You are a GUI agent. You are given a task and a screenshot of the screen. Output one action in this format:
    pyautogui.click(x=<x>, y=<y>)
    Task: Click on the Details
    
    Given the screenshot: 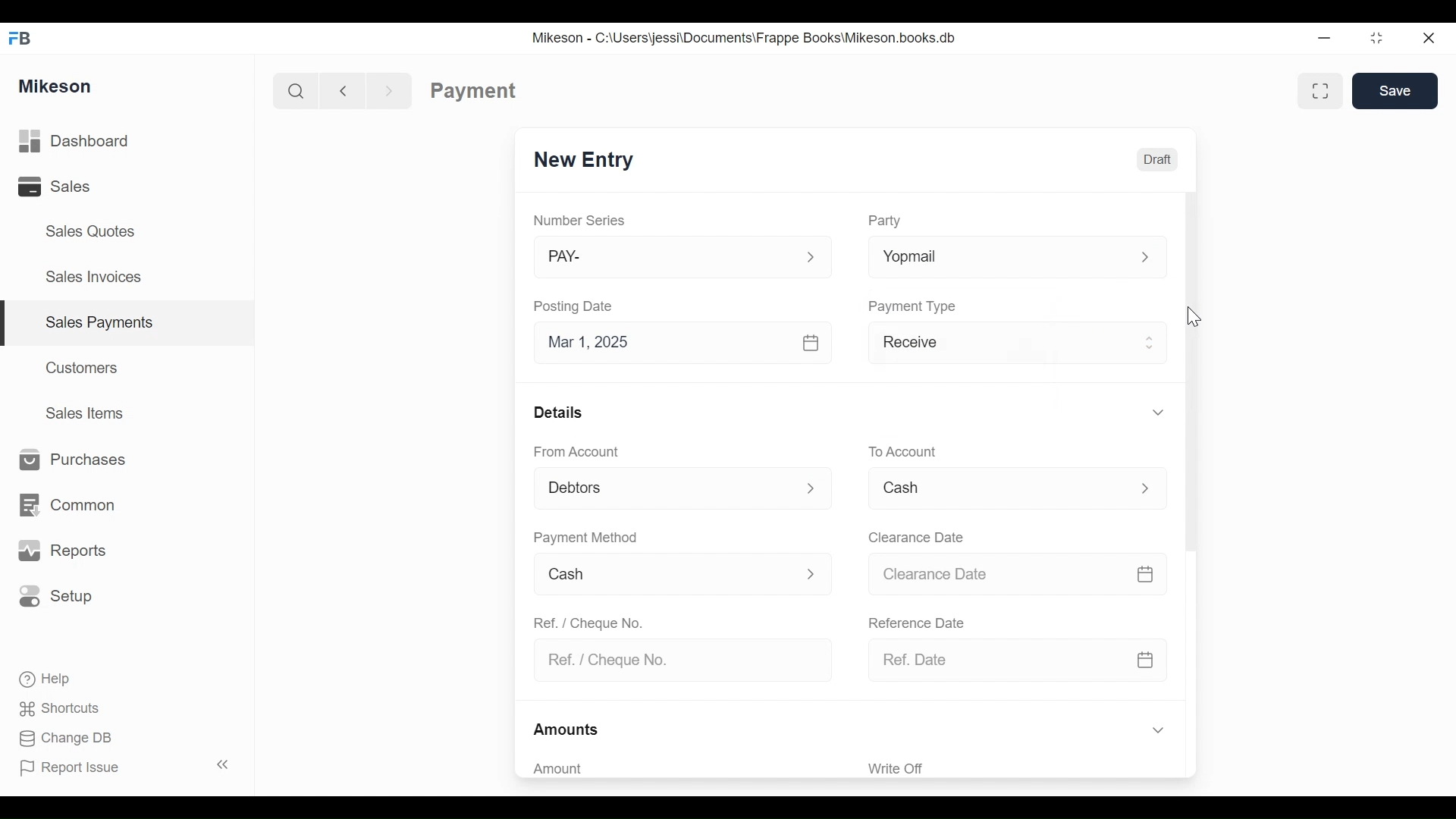 What is the action you would take?
    pyautogui.click(x=561, y=413)
    